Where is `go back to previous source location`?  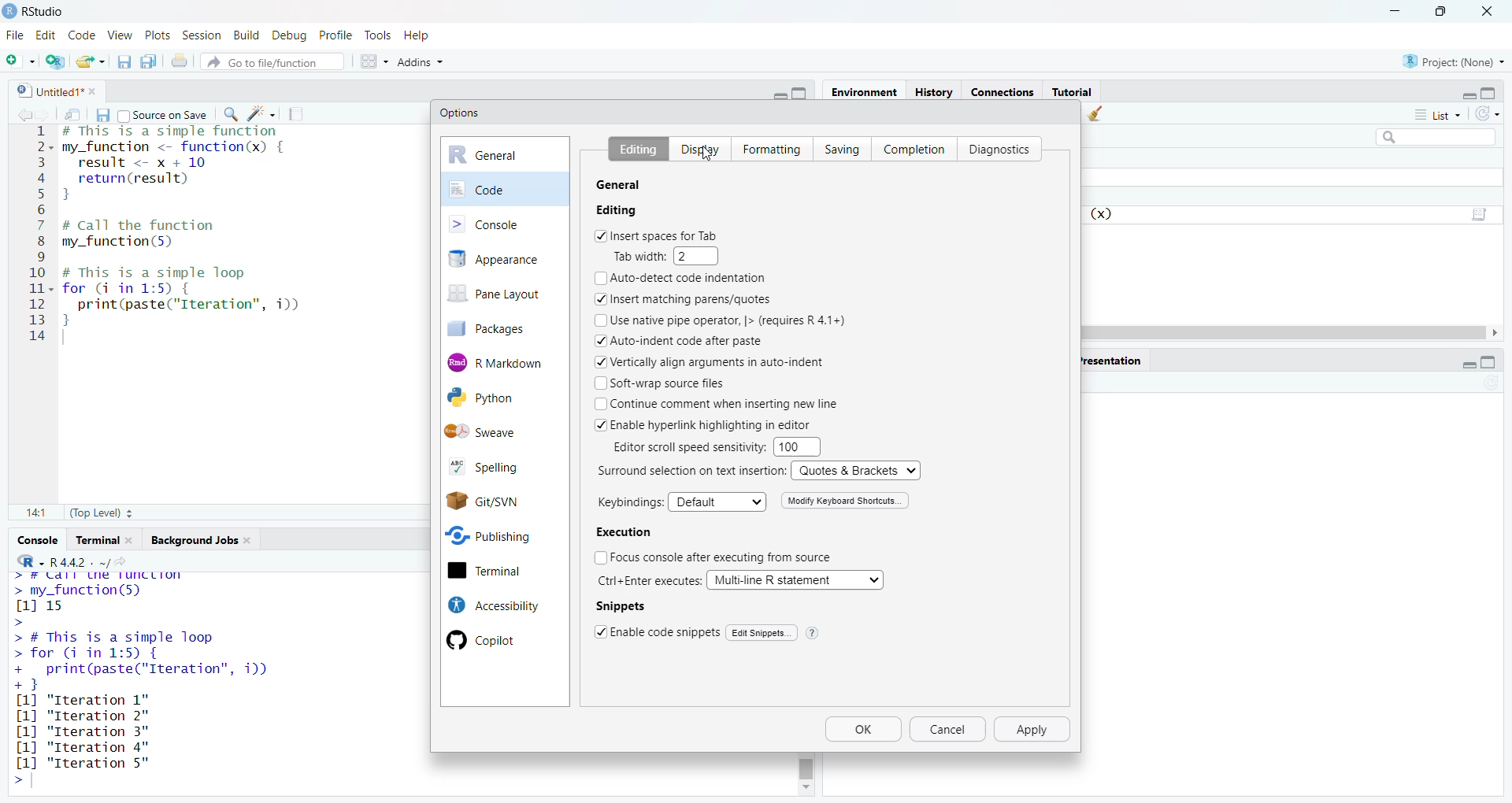
go back to previous source location is located at coordinates (17, 113).